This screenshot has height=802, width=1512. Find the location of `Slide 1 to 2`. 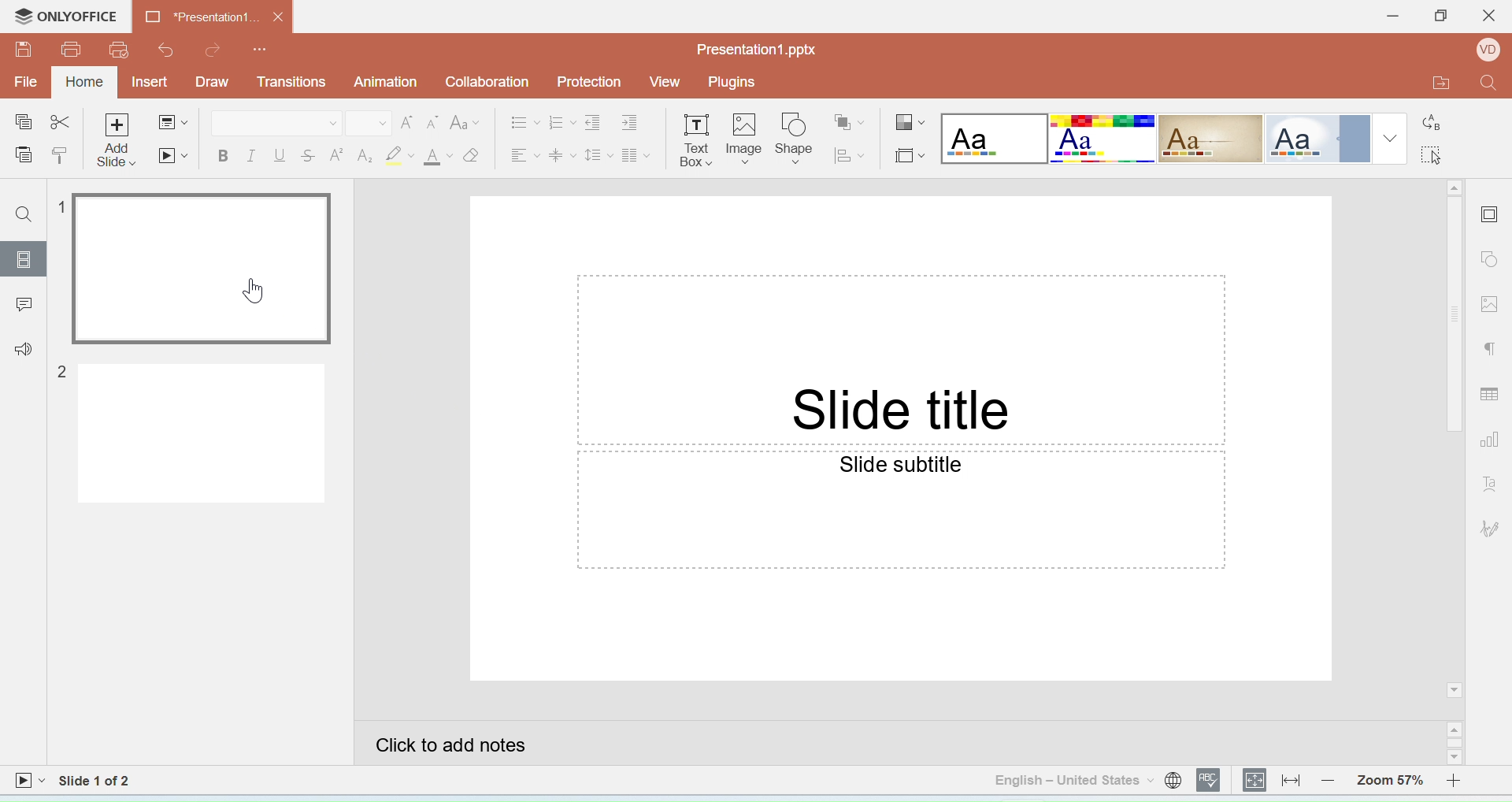

Slide 1 to 2 is located at coordinates (96, 781).